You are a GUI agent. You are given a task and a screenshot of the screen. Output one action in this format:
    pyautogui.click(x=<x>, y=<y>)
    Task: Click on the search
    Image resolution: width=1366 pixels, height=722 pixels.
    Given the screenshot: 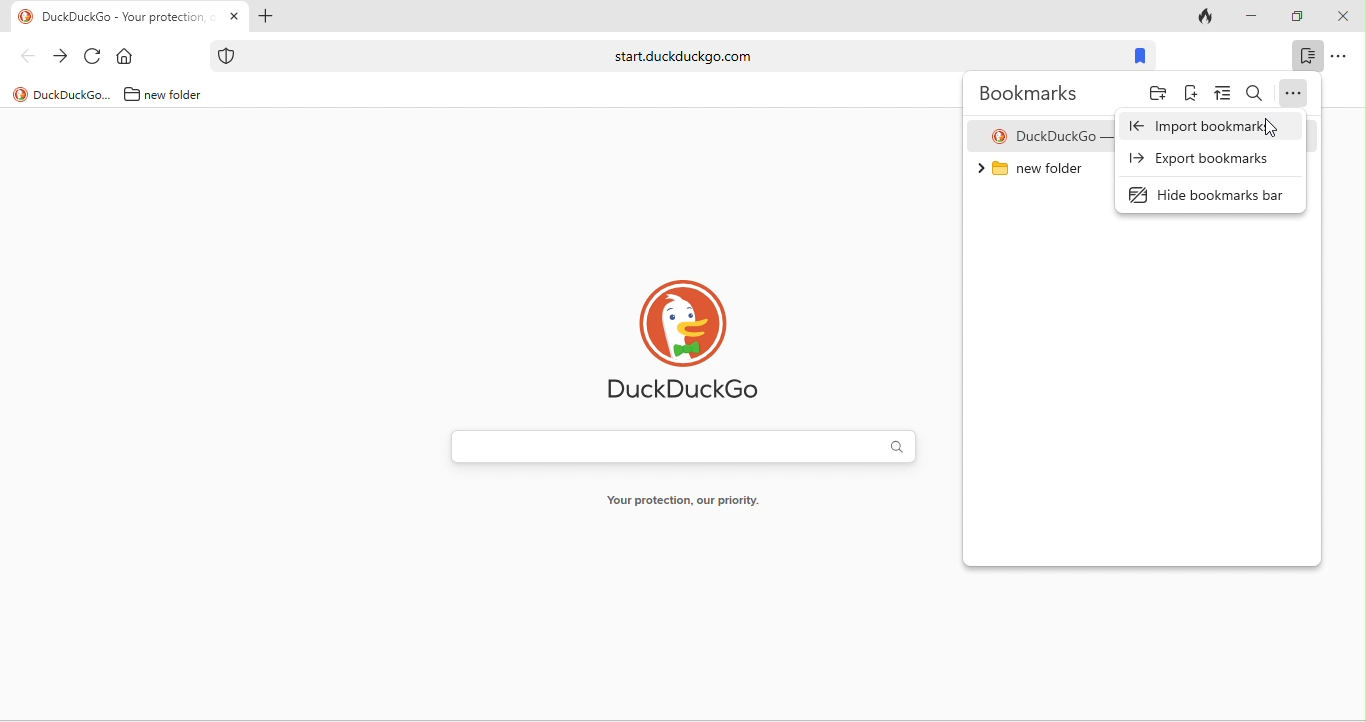 What is the action you would take?
    pyautogui.click(x=1255, y=94)
    